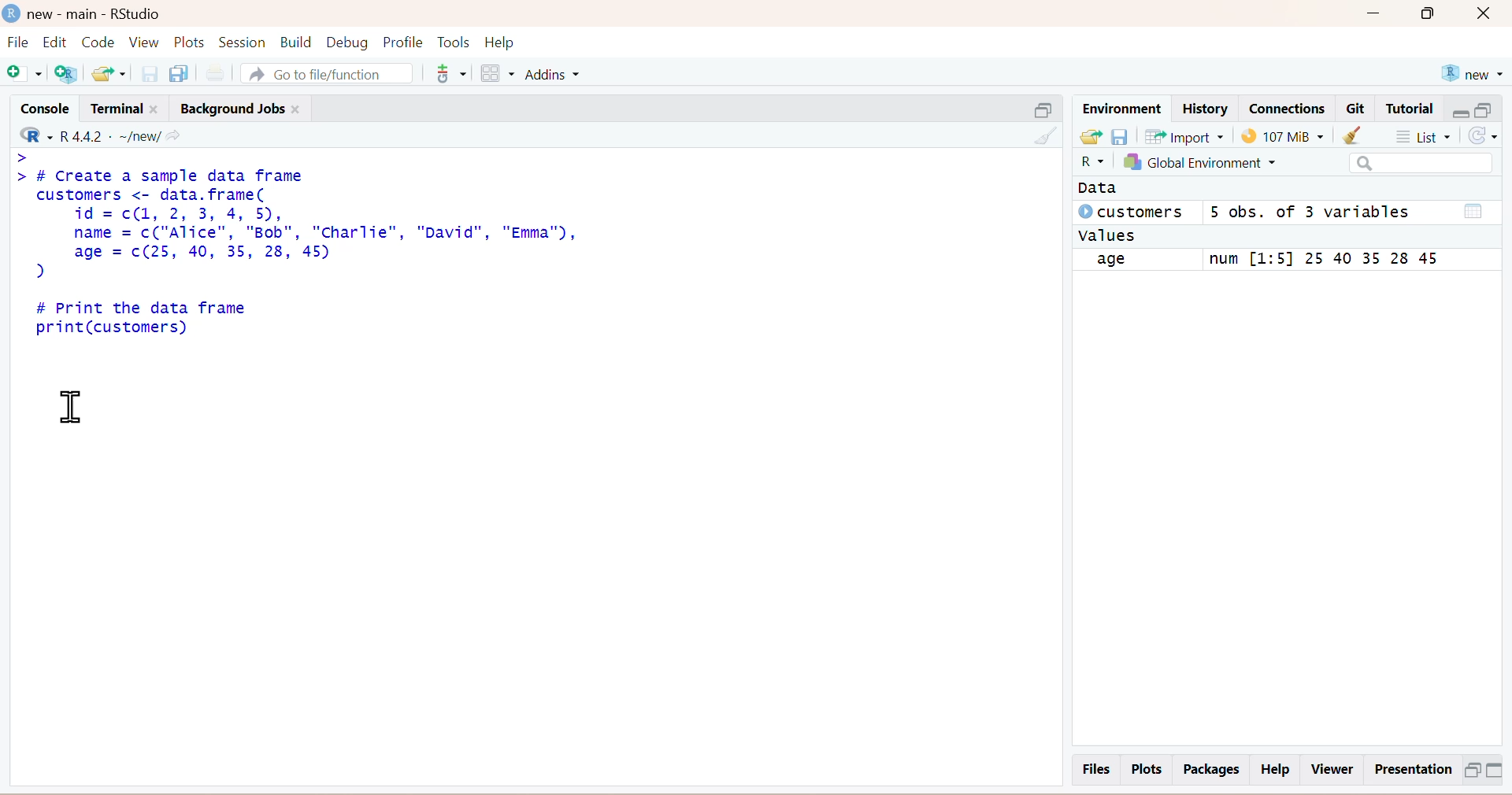  I want to click on refresh, so click(1489, 138).